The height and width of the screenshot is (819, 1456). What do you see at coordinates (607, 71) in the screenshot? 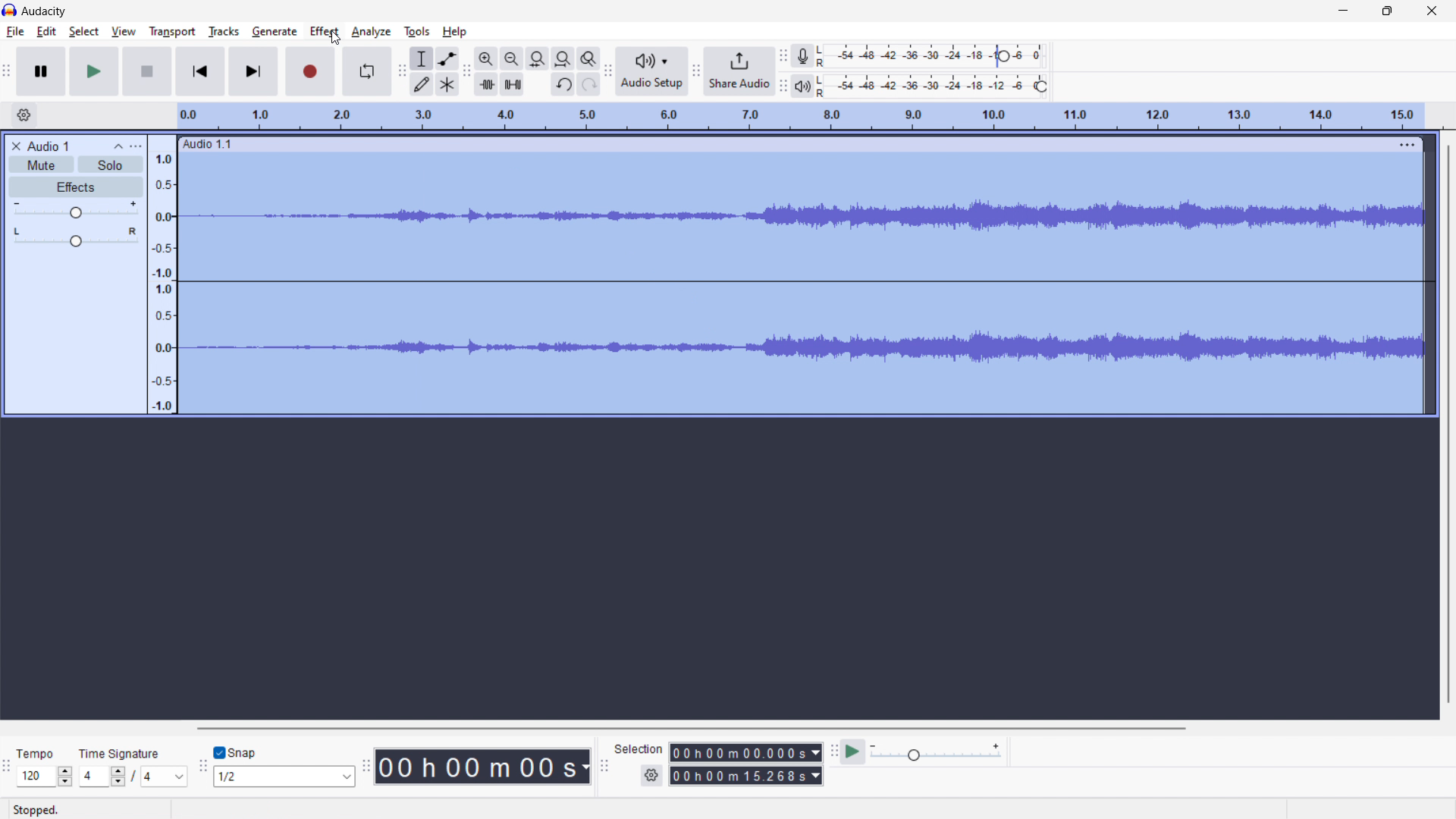
I see `audio setup toolbar` at bounding box center [607, 71].